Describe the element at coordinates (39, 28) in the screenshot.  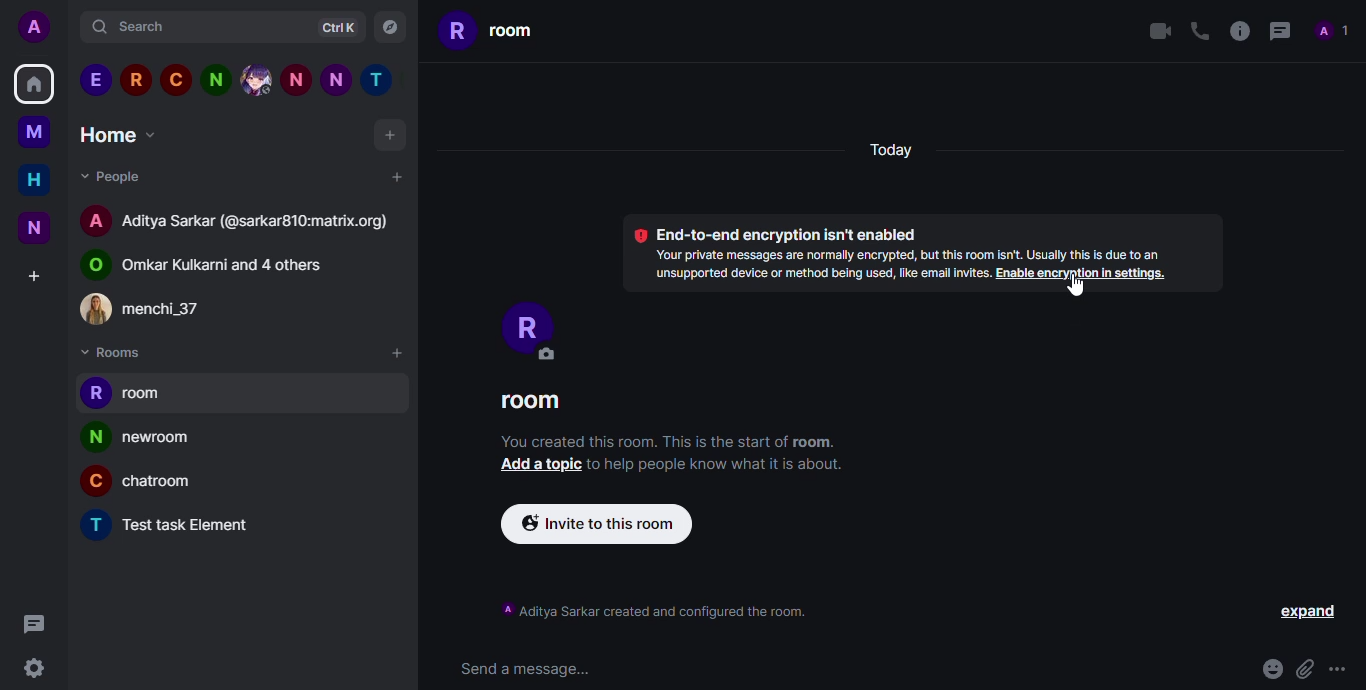
I see `account` at that location.